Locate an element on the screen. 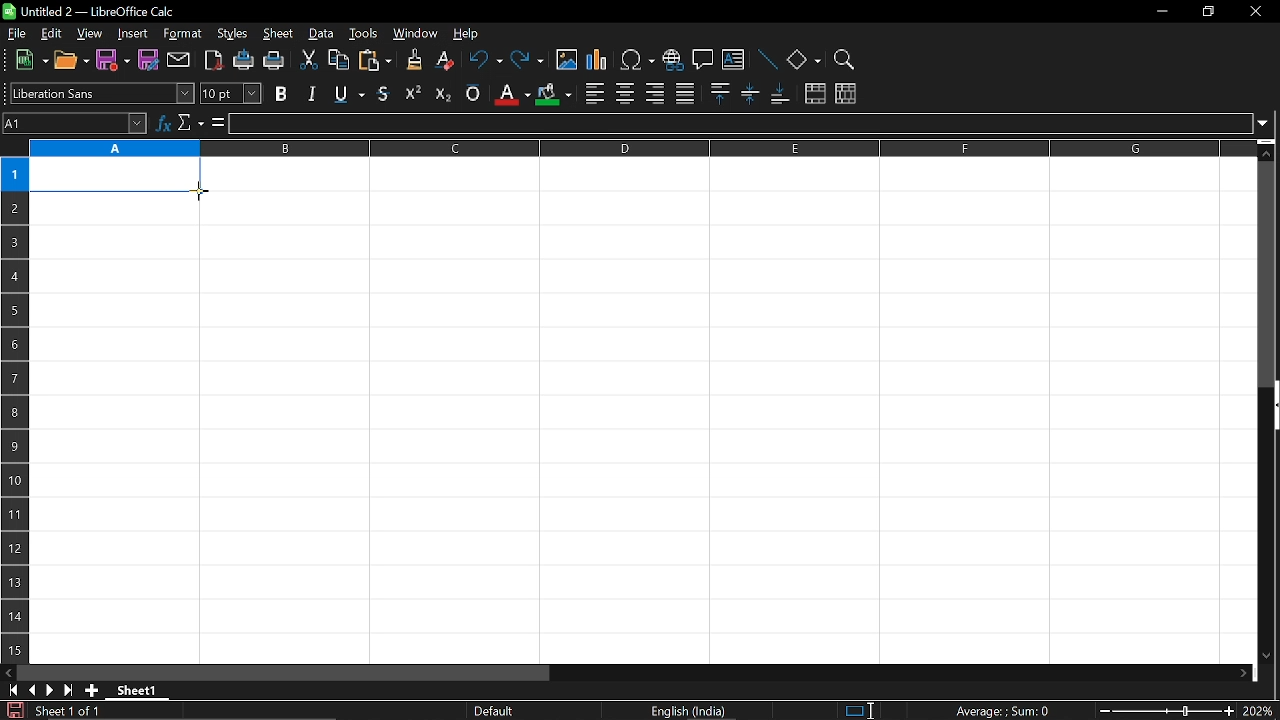 Image resolution: width=1280 pixels, height=720 pixels. copy is located at coordinates (339, 60).